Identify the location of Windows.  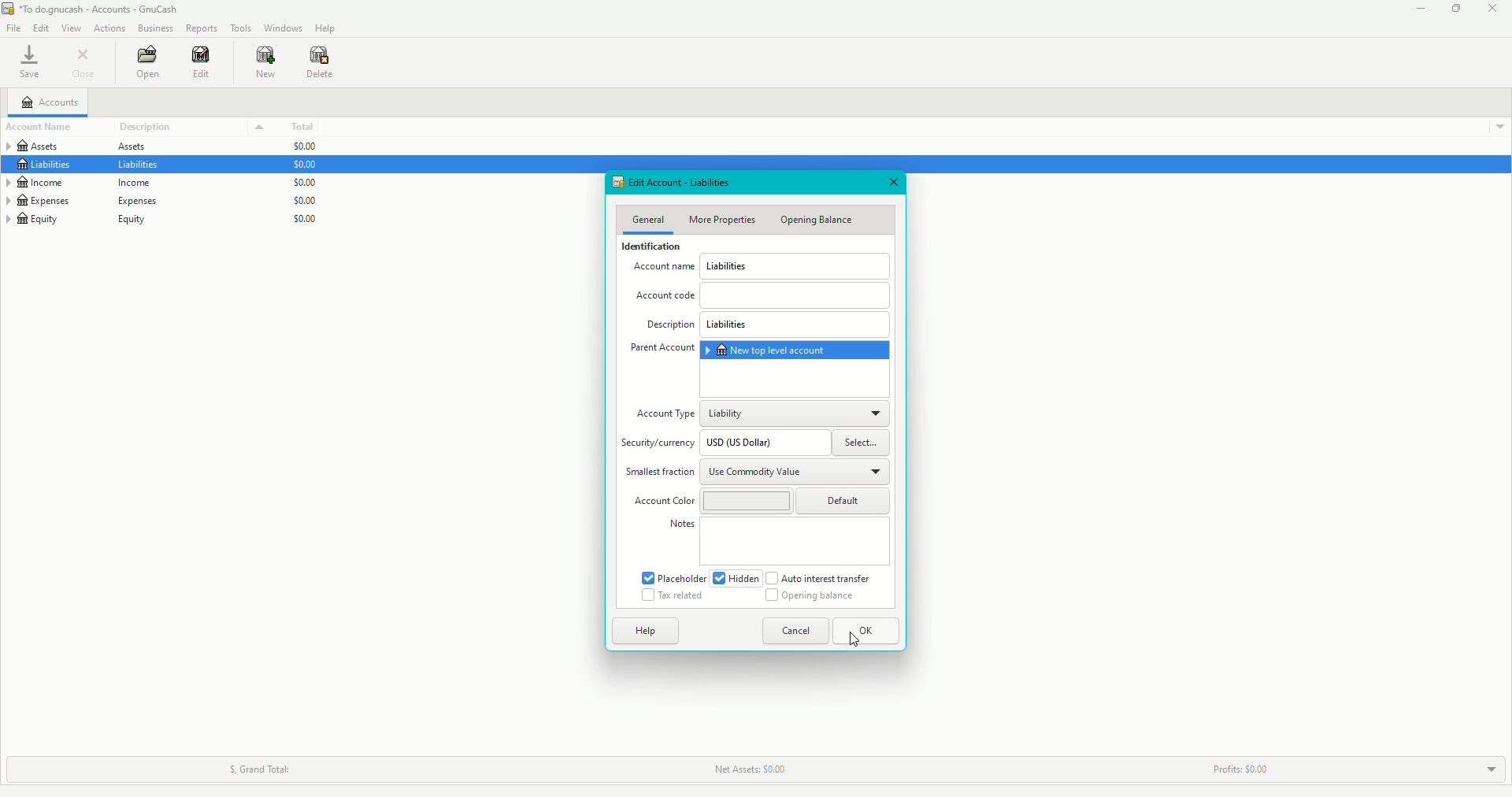
(285, 28).